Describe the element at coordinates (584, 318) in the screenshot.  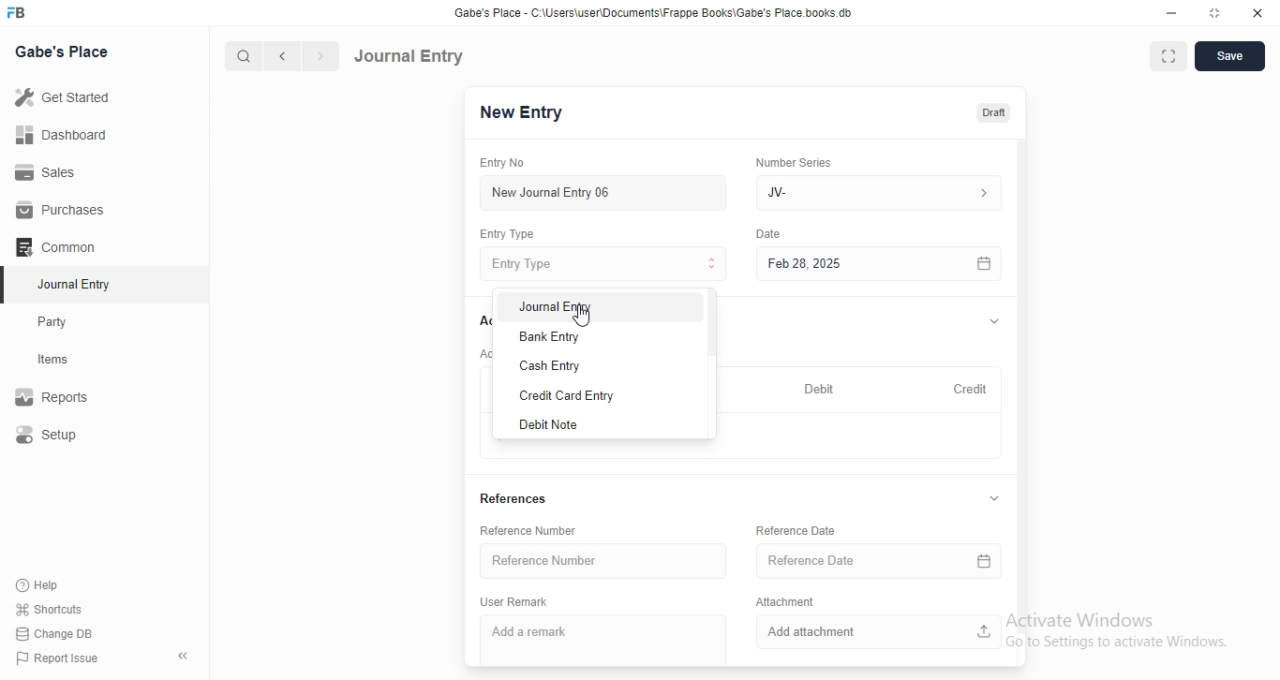
I see `cursor` at that location.